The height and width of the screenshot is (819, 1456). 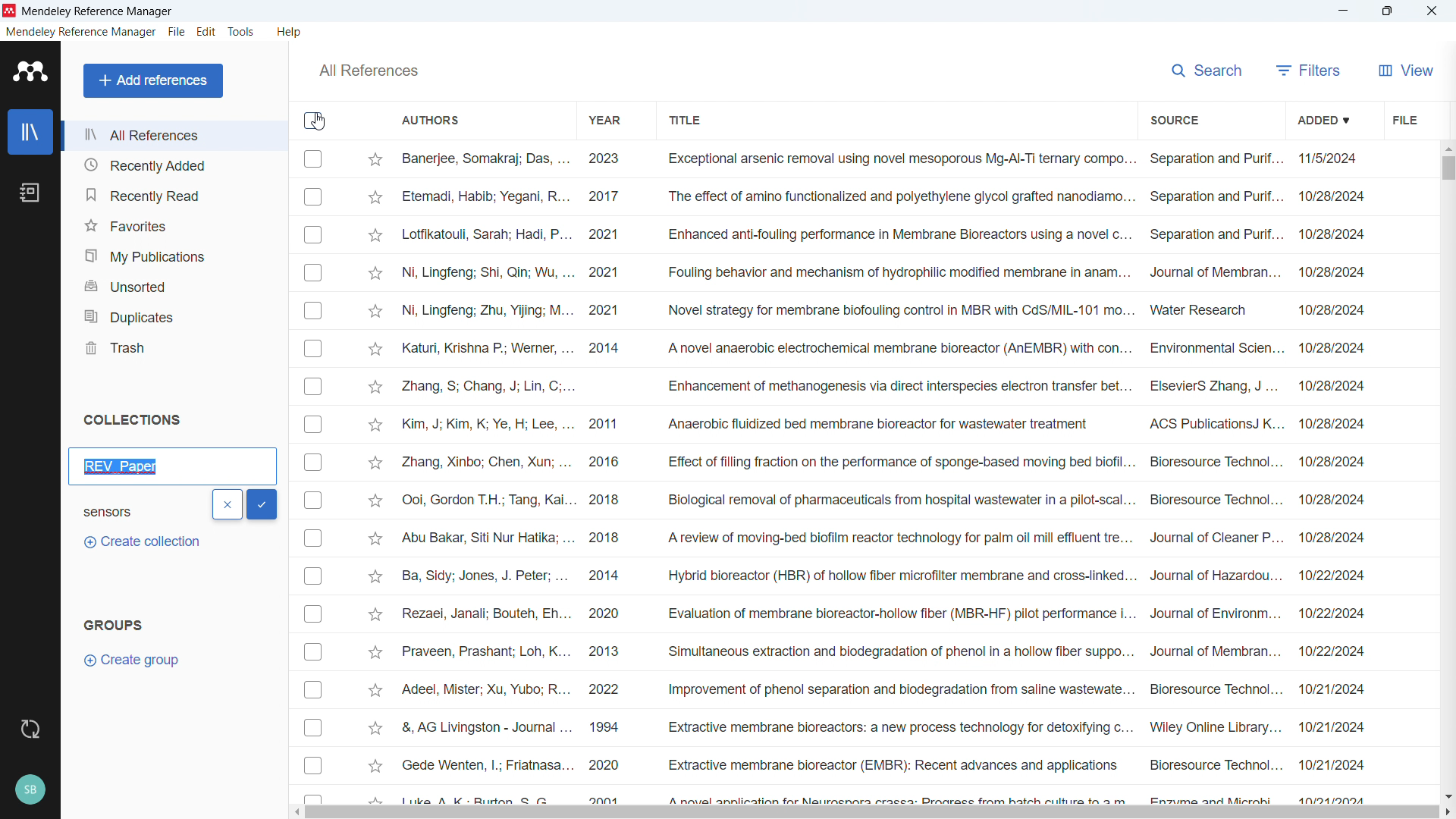 What do you see at coordinates (883, 423) in the screenshot?
I see `Kim, J; Kim, K; Ye, H; Lee, ... 2011 Anaerobic fluidized bed membrane bioreactor for wastewater treatment ACS PublicationsJ K... 10/28/2024` at bounding box center [883, 423].